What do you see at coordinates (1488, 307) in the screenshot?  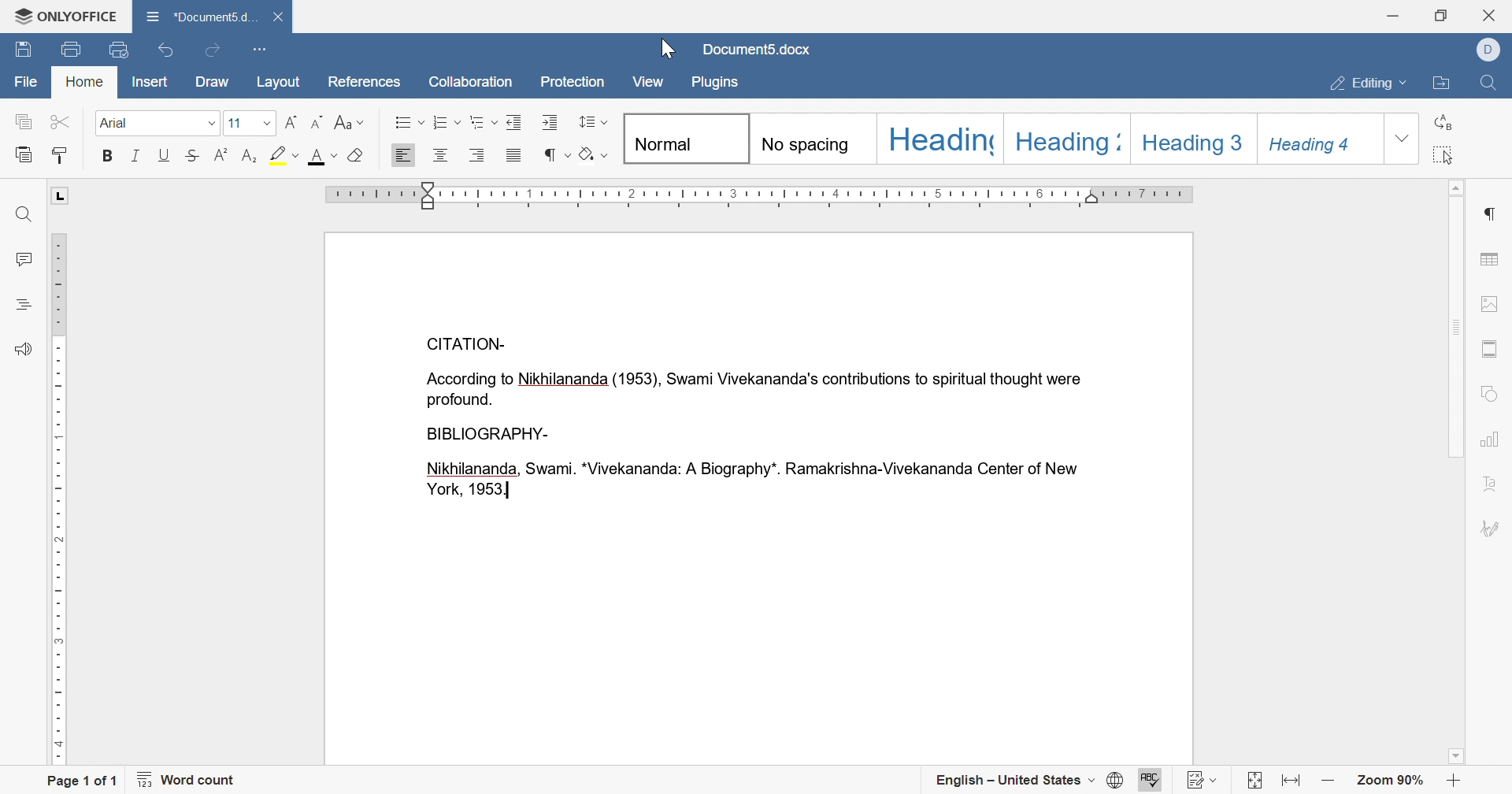 I see `image settings` at bounding box center [1488, 307].